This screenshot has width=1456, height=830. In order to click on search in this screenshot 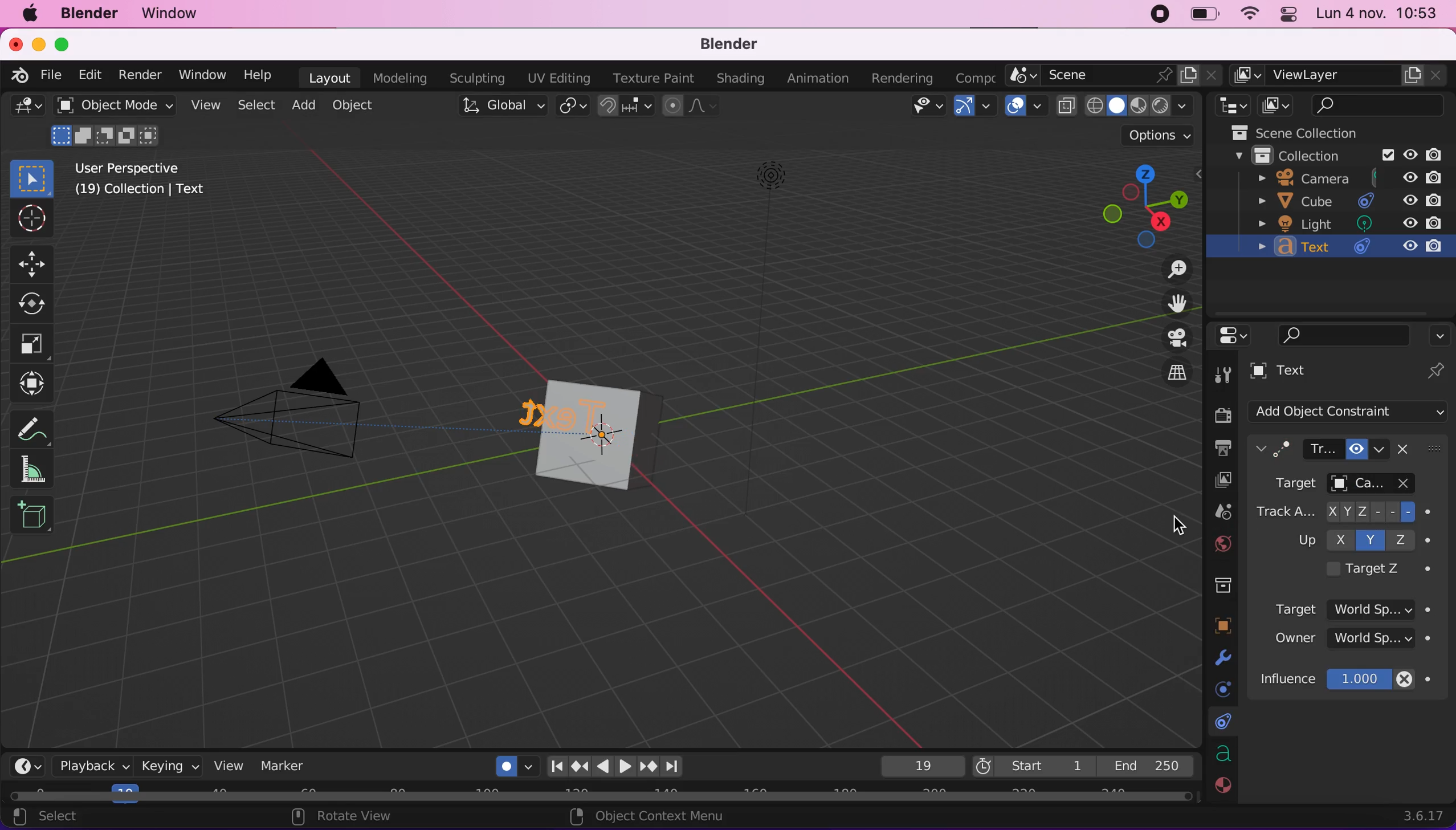, I will do `click(1345, 334)`.